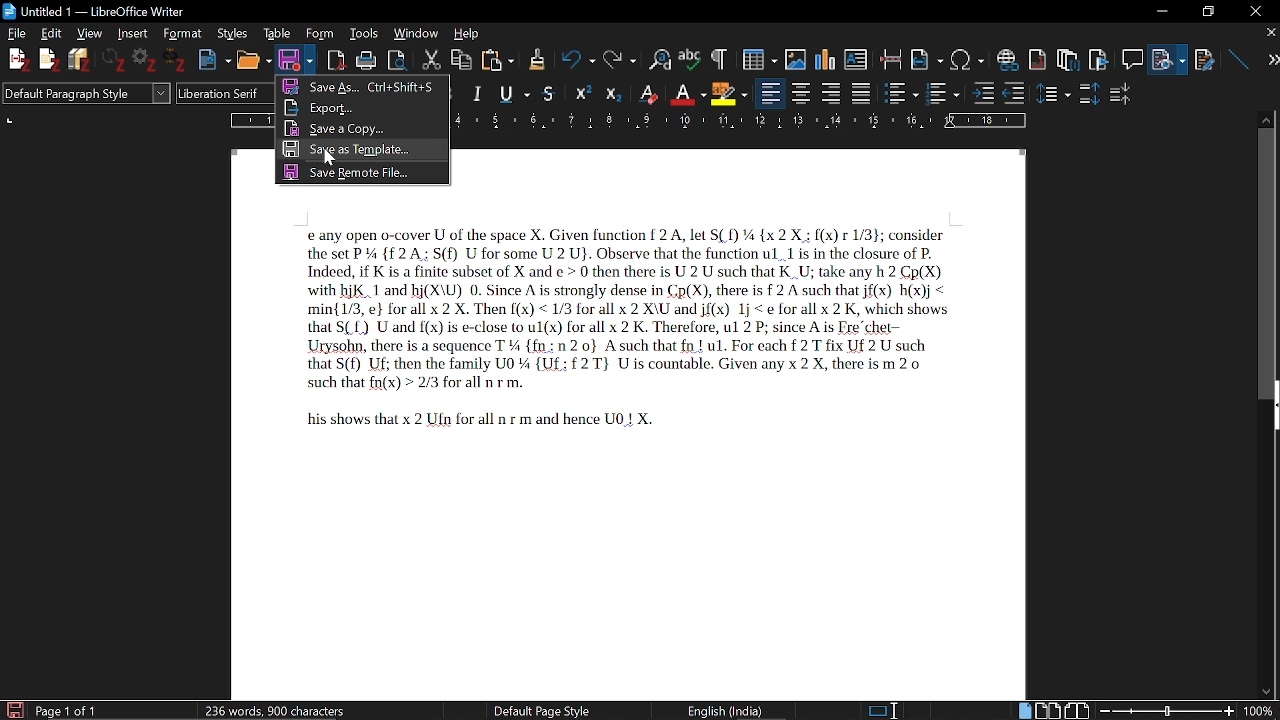 This screenshot has height=720, width=1280. Describe the element at coordinates (541, 710) in the screenshot. I see `Default Page Style` at that location.